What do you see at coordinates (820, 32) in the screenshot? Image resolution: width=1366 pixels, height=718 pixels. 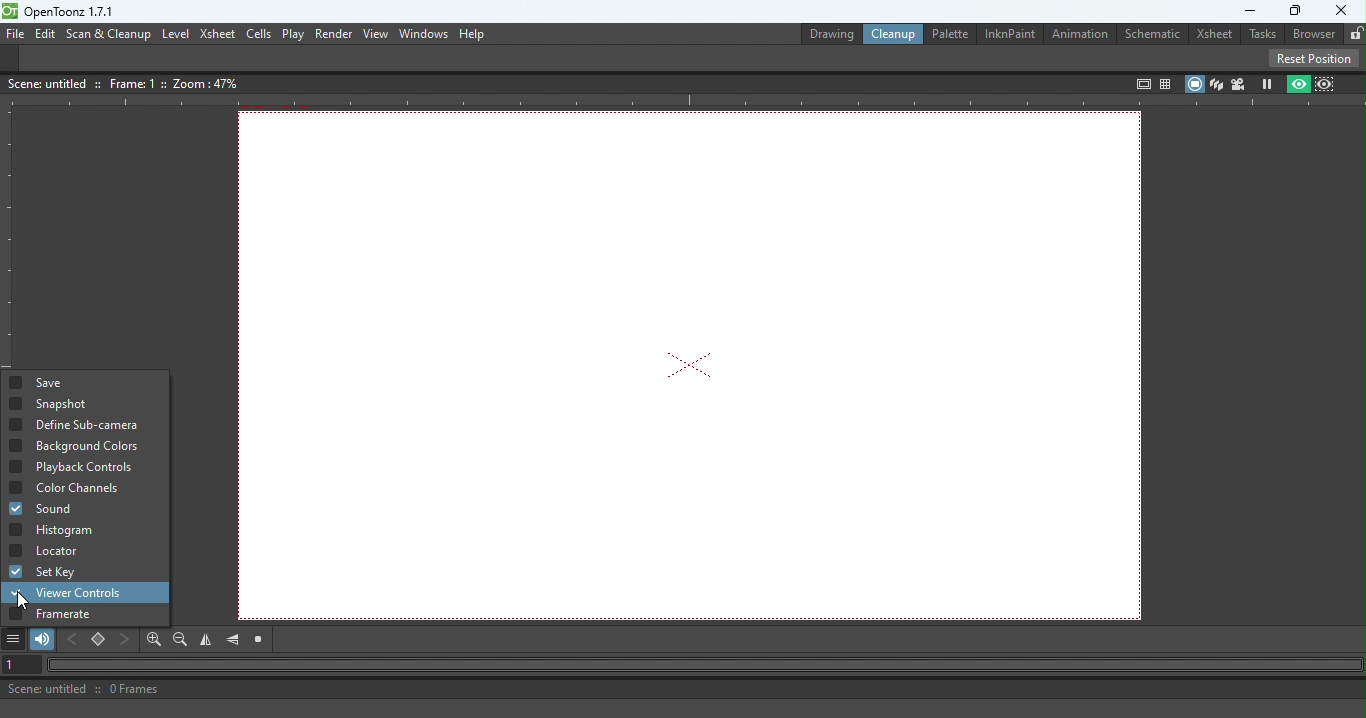 I see `Drawing` at bounding box center [820, 32].